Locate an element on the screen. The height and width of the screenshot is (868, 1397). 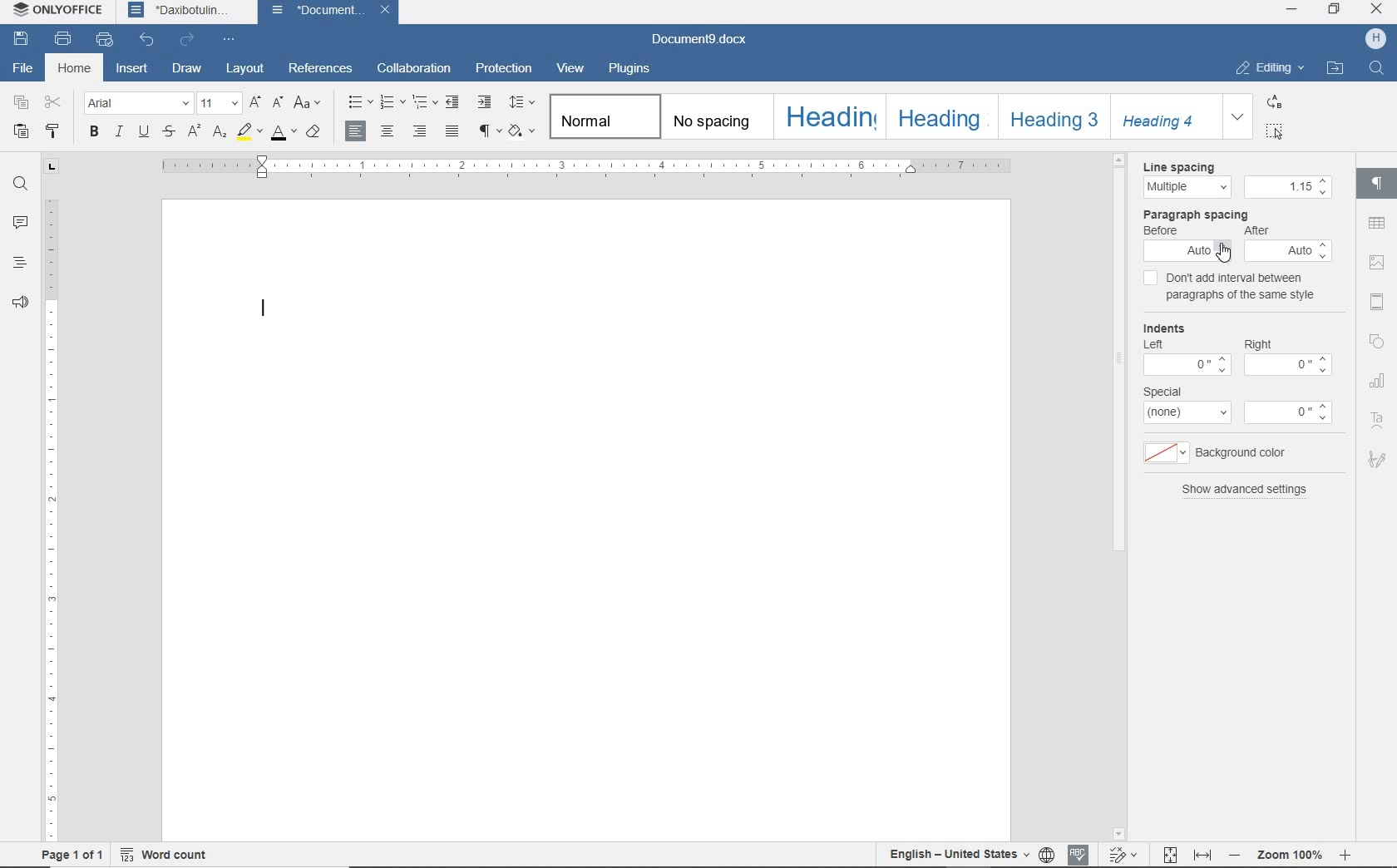
scroll down is located at coordinates (1120, 833).